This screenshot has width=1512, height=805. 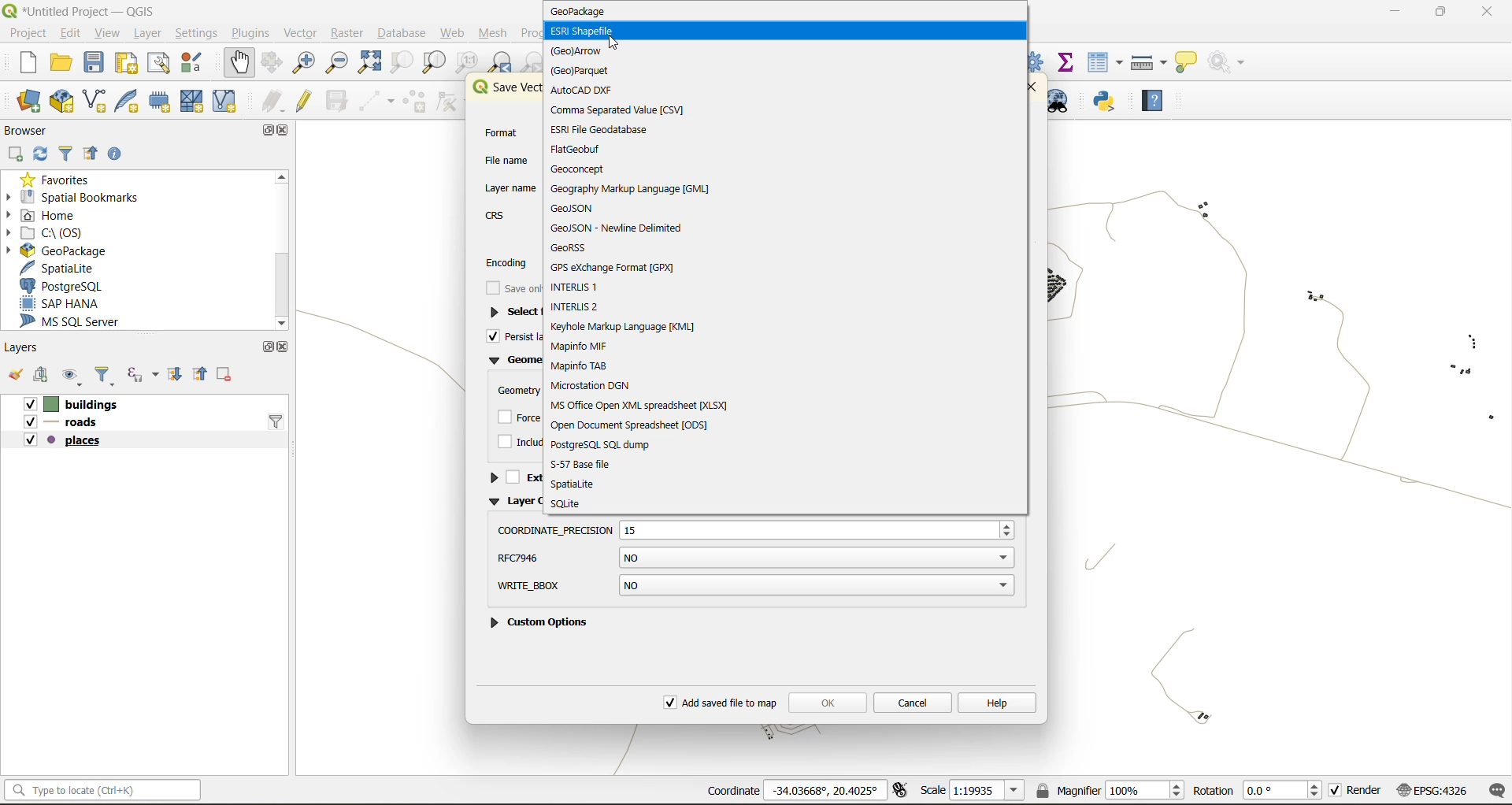 I want to click on collapse all, so click(x=204, y=376).